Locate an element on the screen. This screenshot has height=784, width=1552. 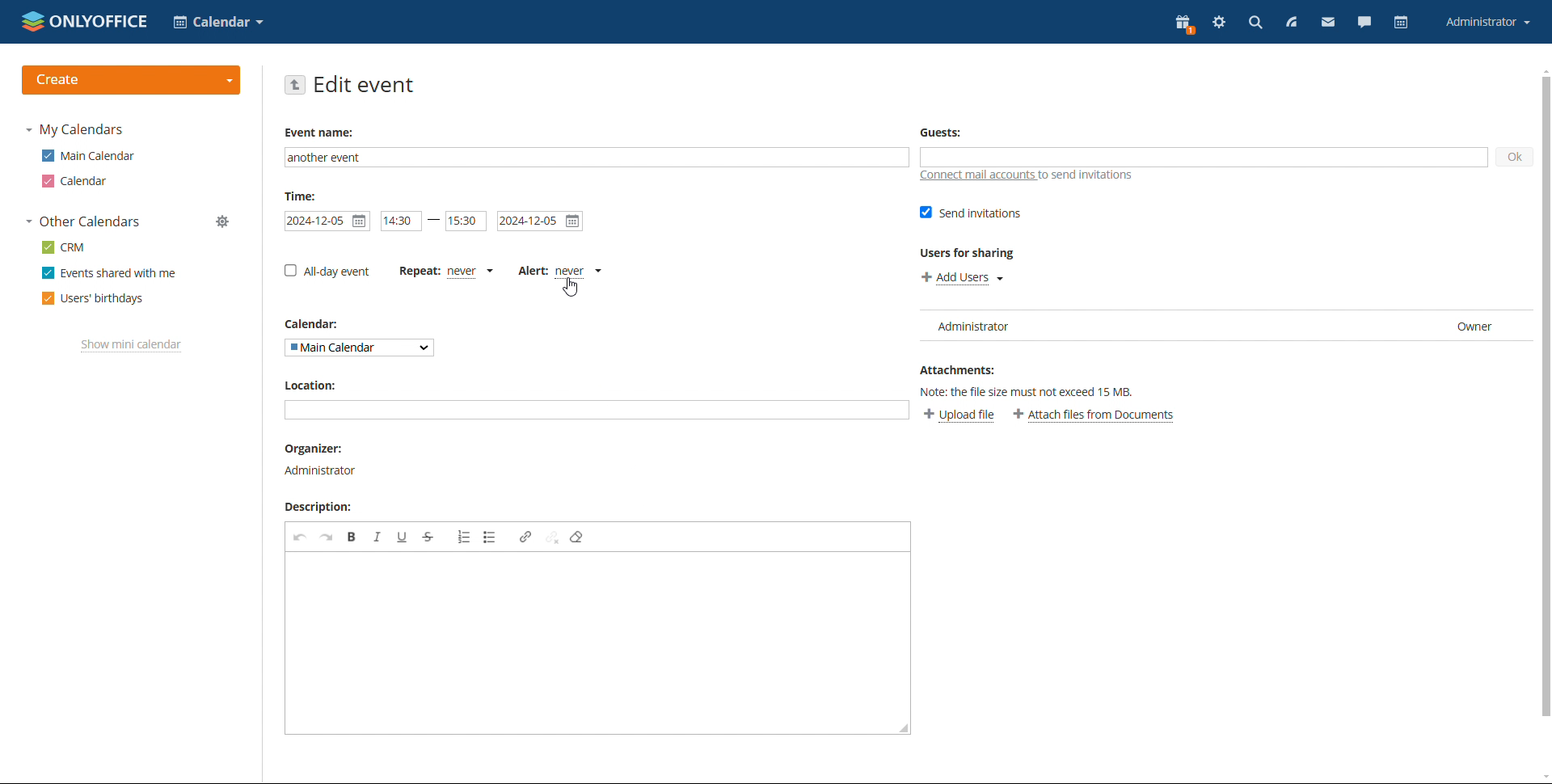
logo is located at coordinates (86, 21).